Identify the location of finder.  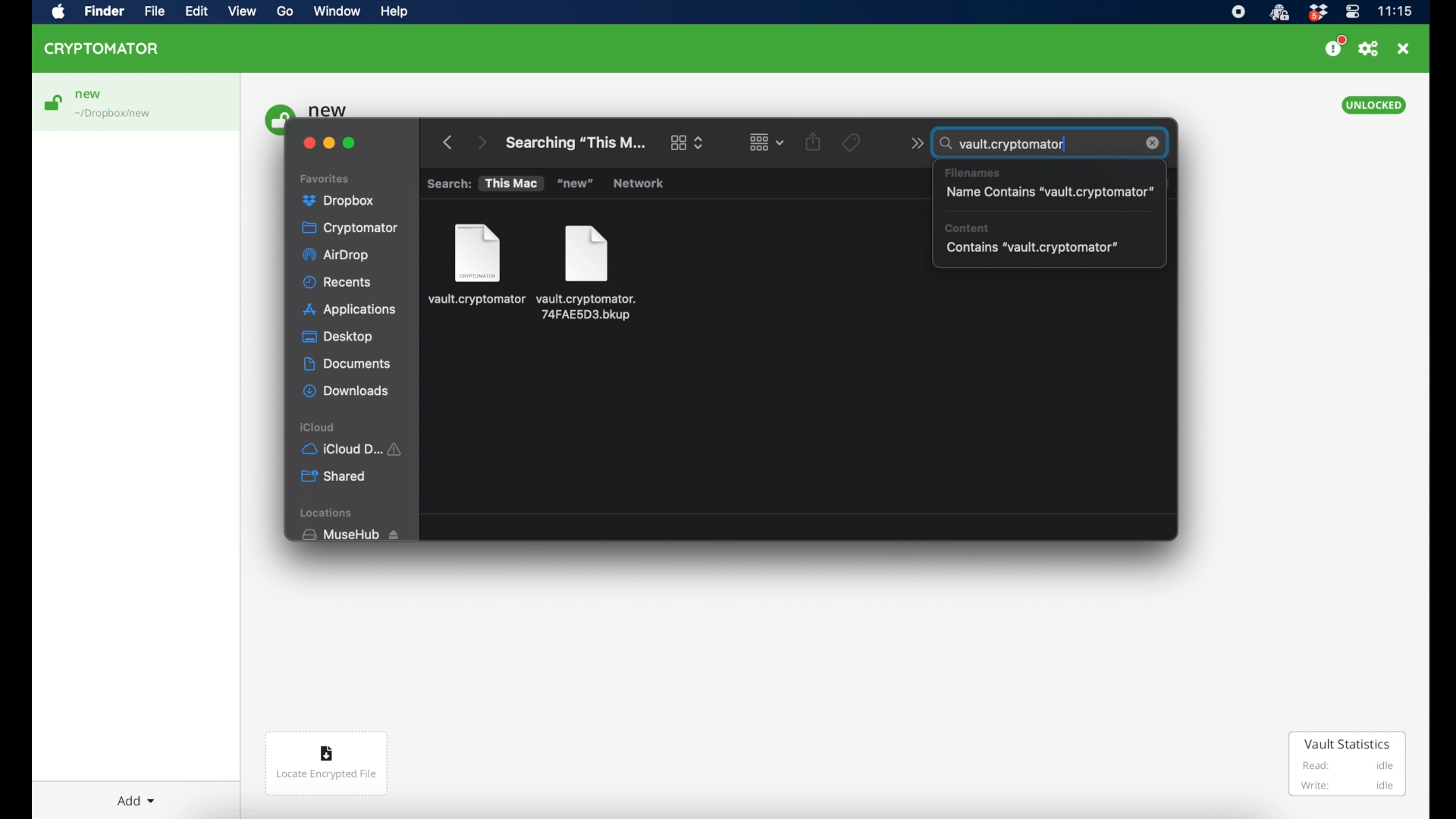
(104, 11).